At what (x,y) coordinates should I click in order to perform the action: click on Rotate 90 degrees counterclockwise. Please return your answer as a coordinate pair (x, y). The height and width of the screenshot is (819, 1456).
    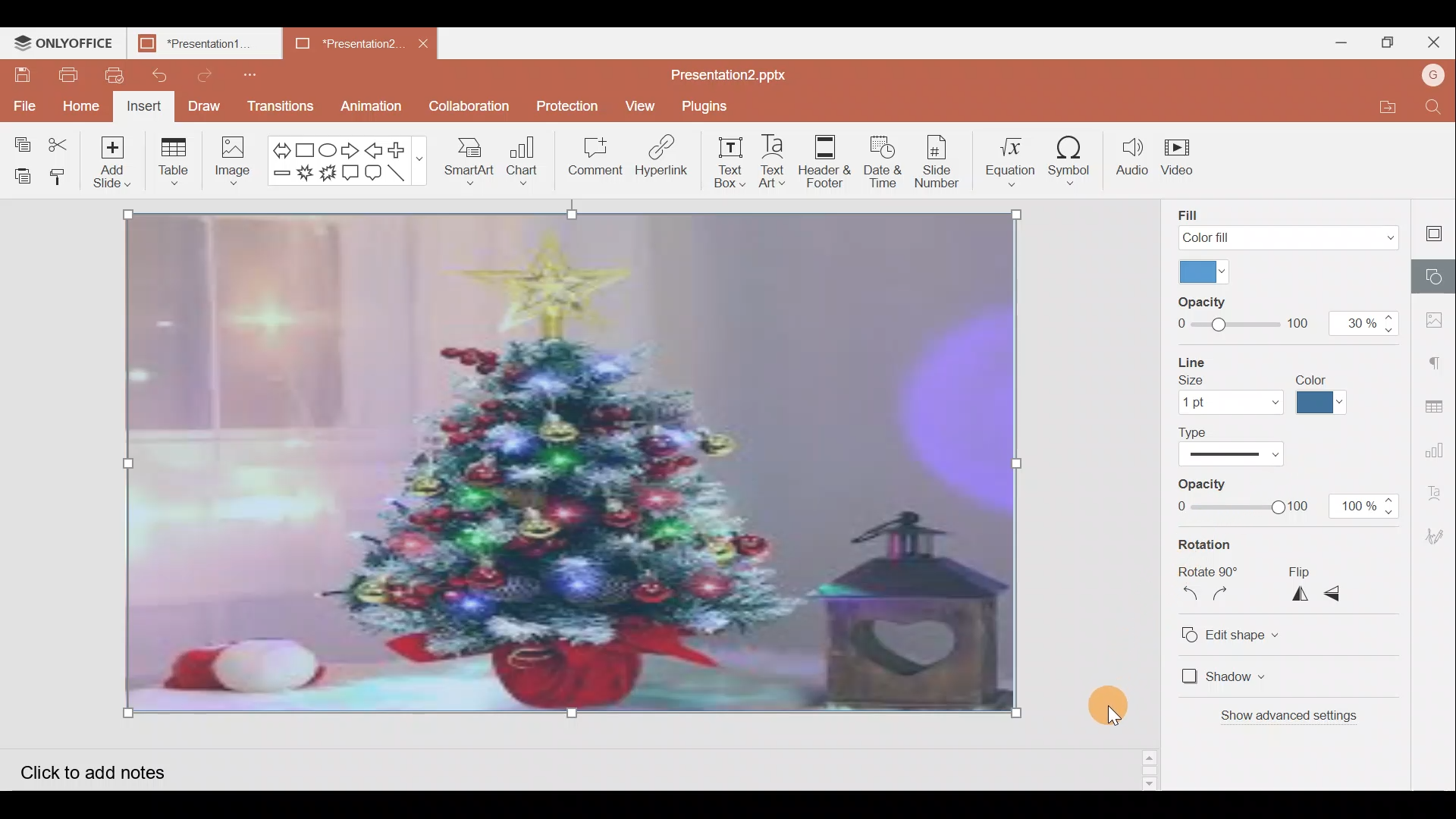
    Looking at the image, I should click on (1189, 597).